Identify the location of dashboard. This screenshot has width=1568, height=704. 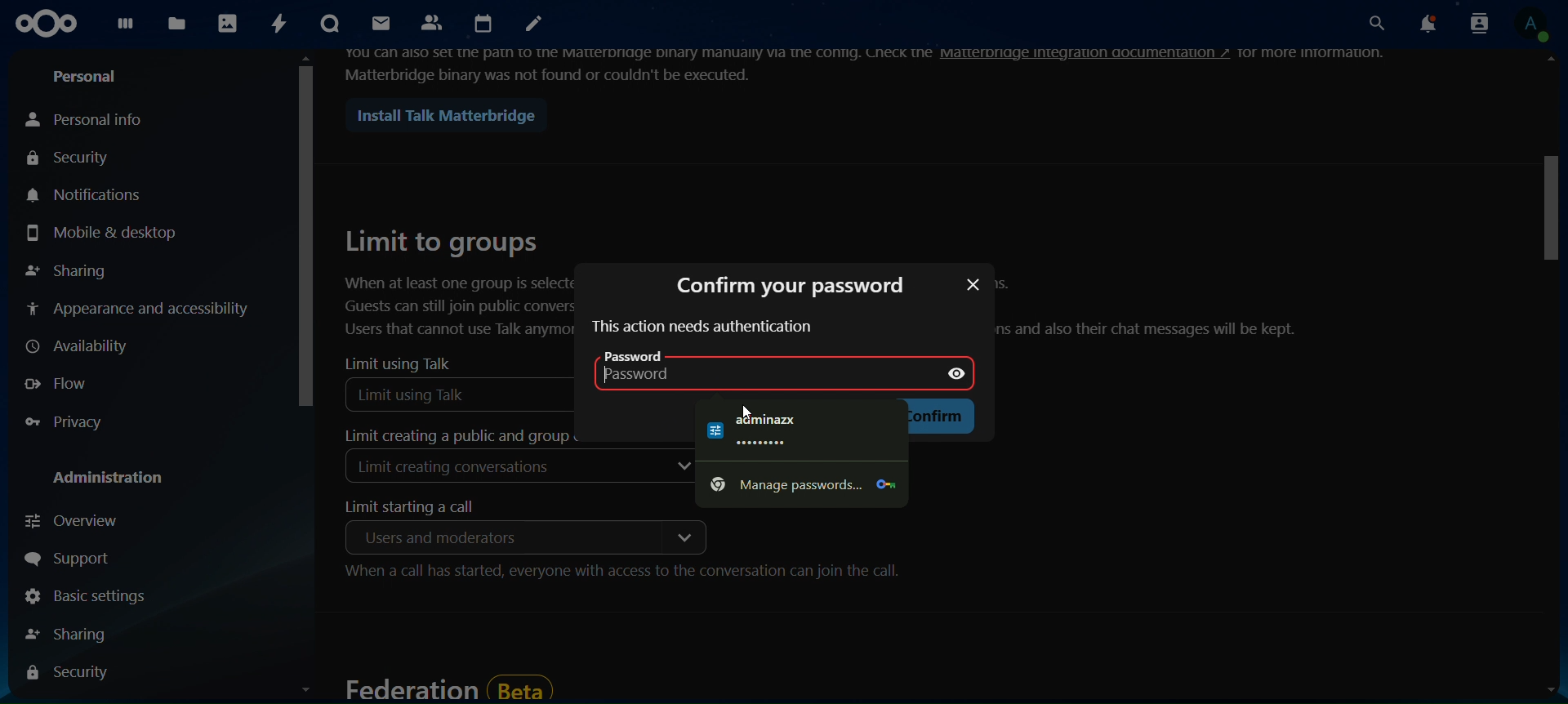
(128, 28).